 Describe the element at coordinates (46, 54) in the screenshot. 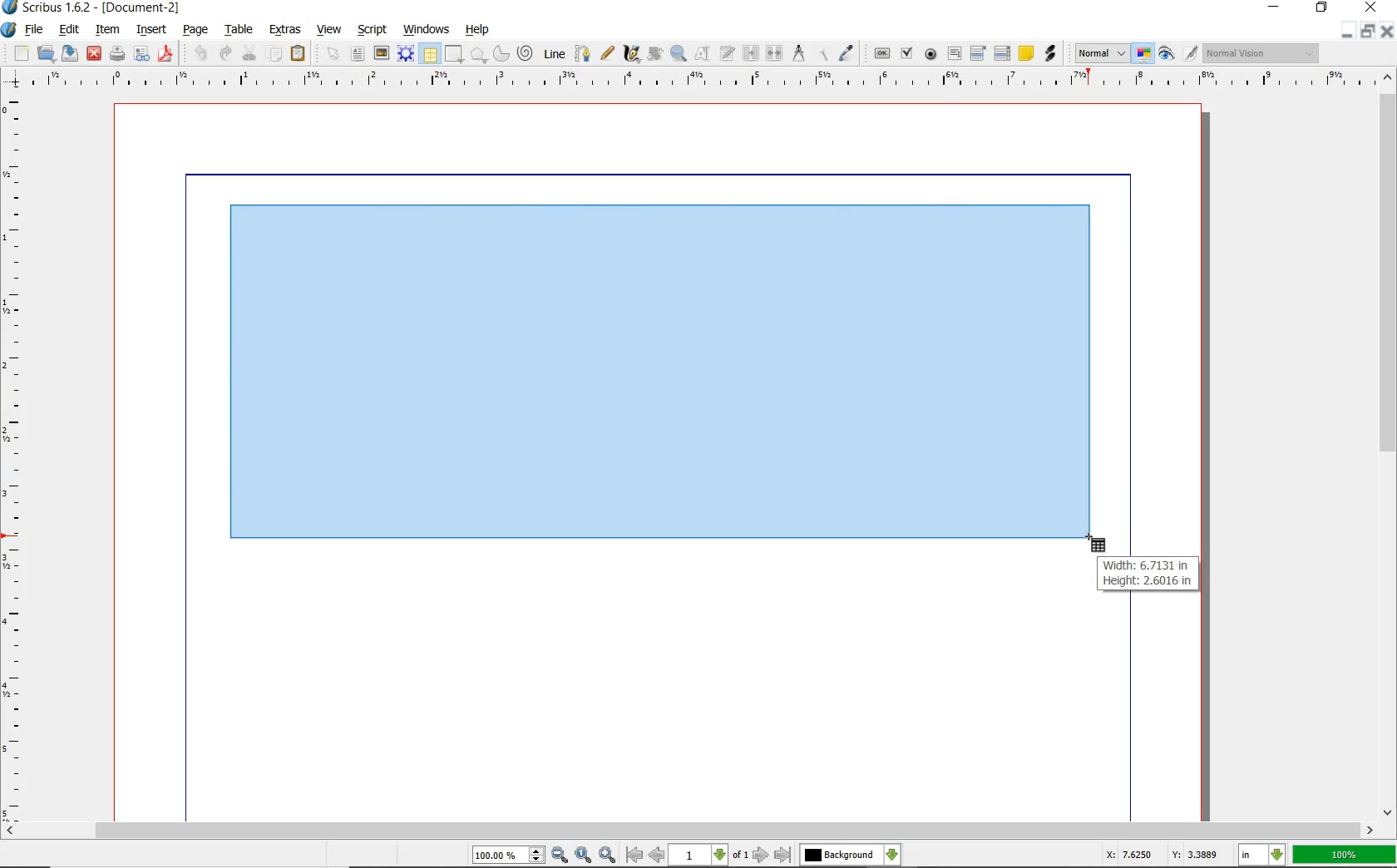

I see `open` at that location.